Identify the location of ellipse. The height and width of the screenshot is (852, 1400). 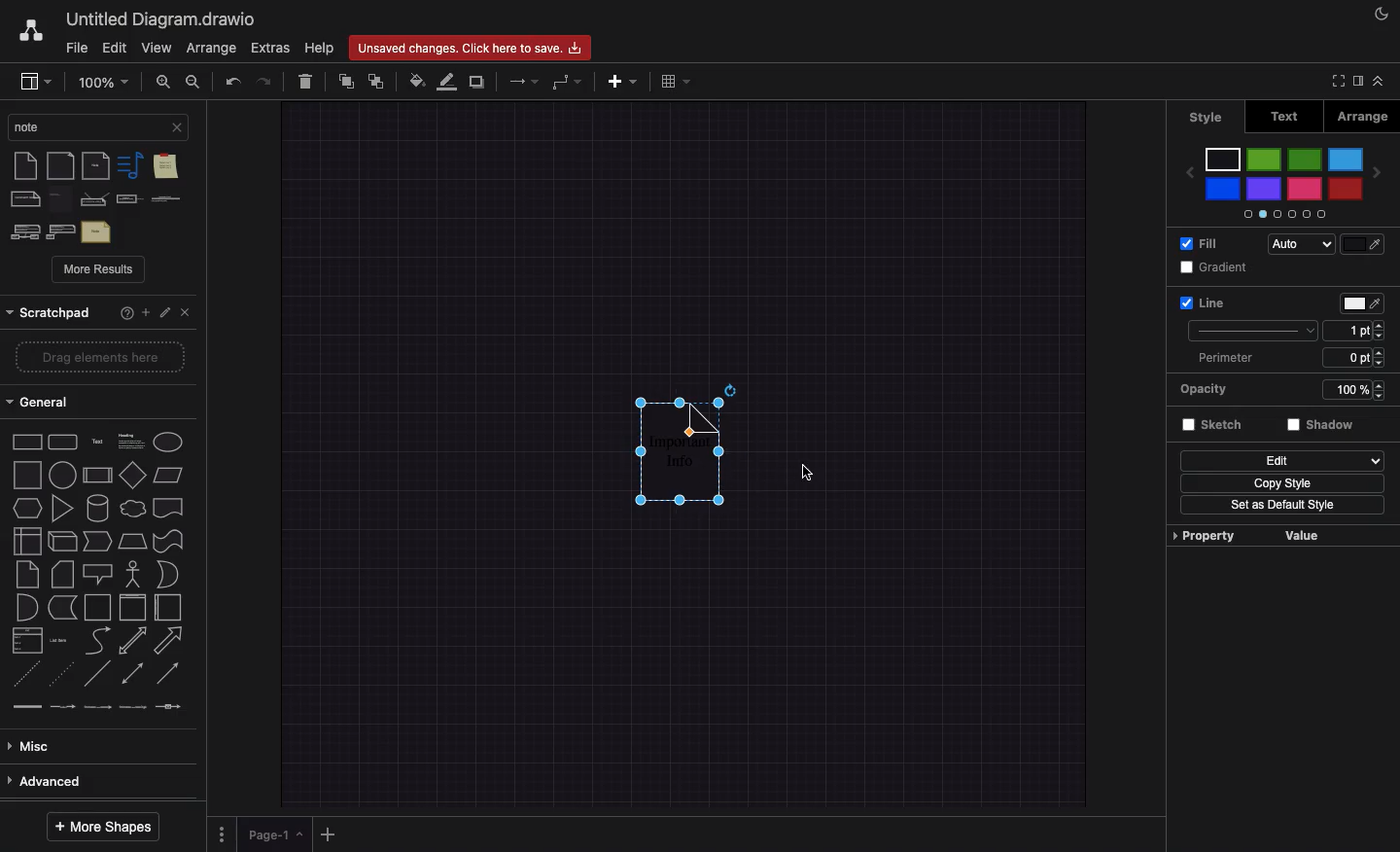
(169, 442).